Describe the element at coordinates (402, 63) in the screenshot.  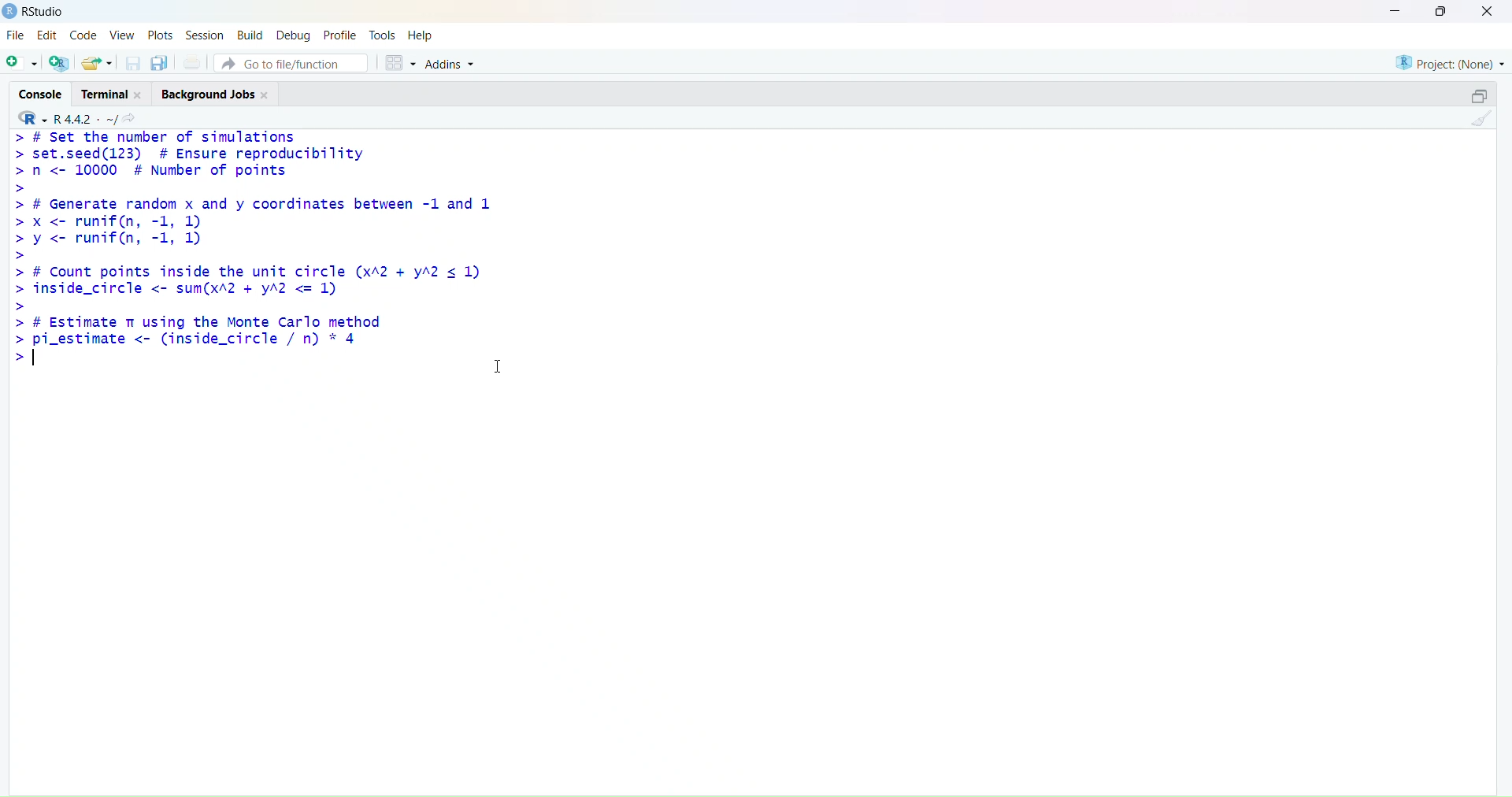
I see `Workspace panes` at that location.